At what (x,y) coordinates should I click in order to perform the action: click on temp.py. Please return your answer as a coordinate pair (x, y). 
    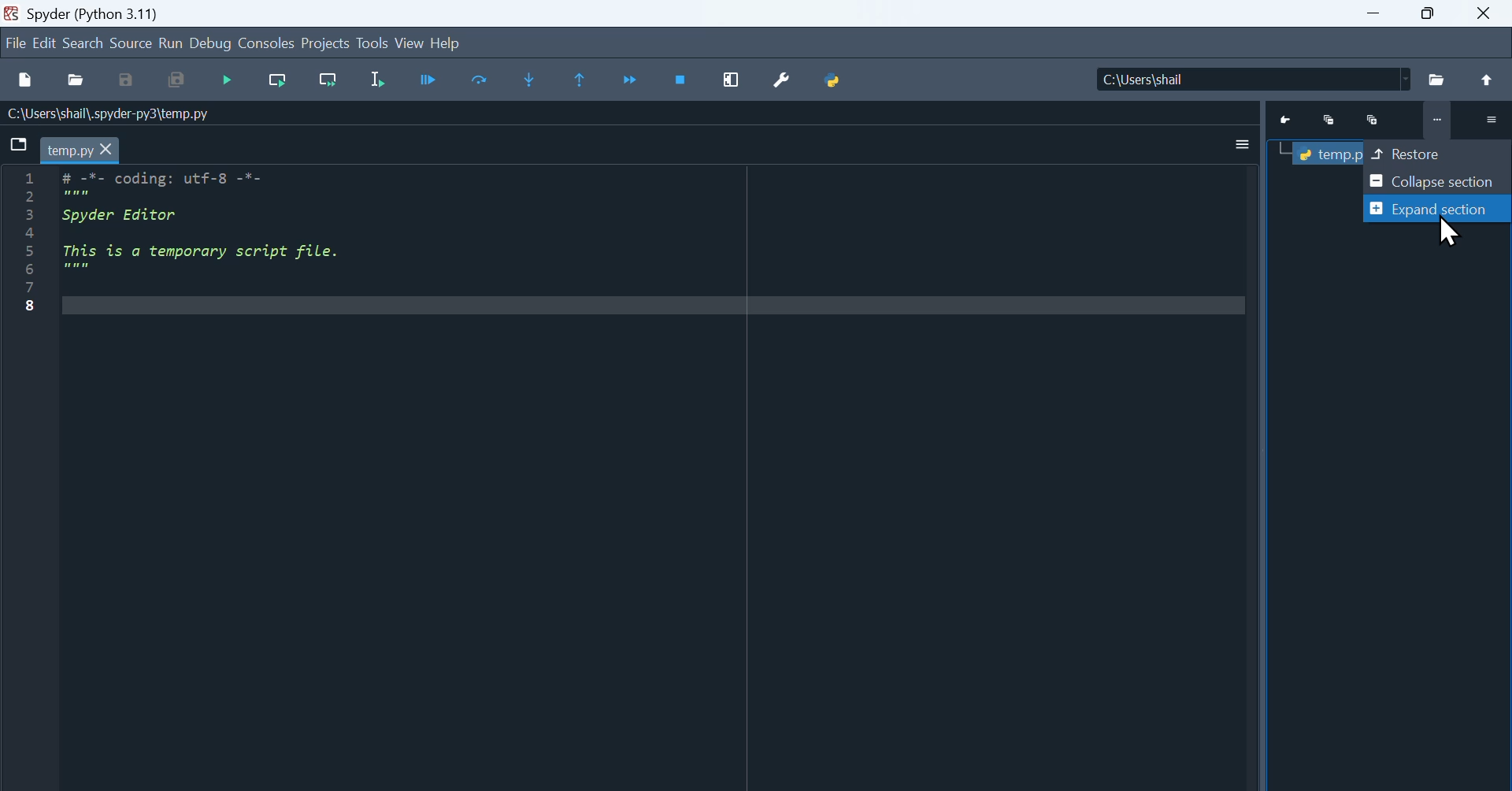
    Looking at the image, I should click on (70, 150).